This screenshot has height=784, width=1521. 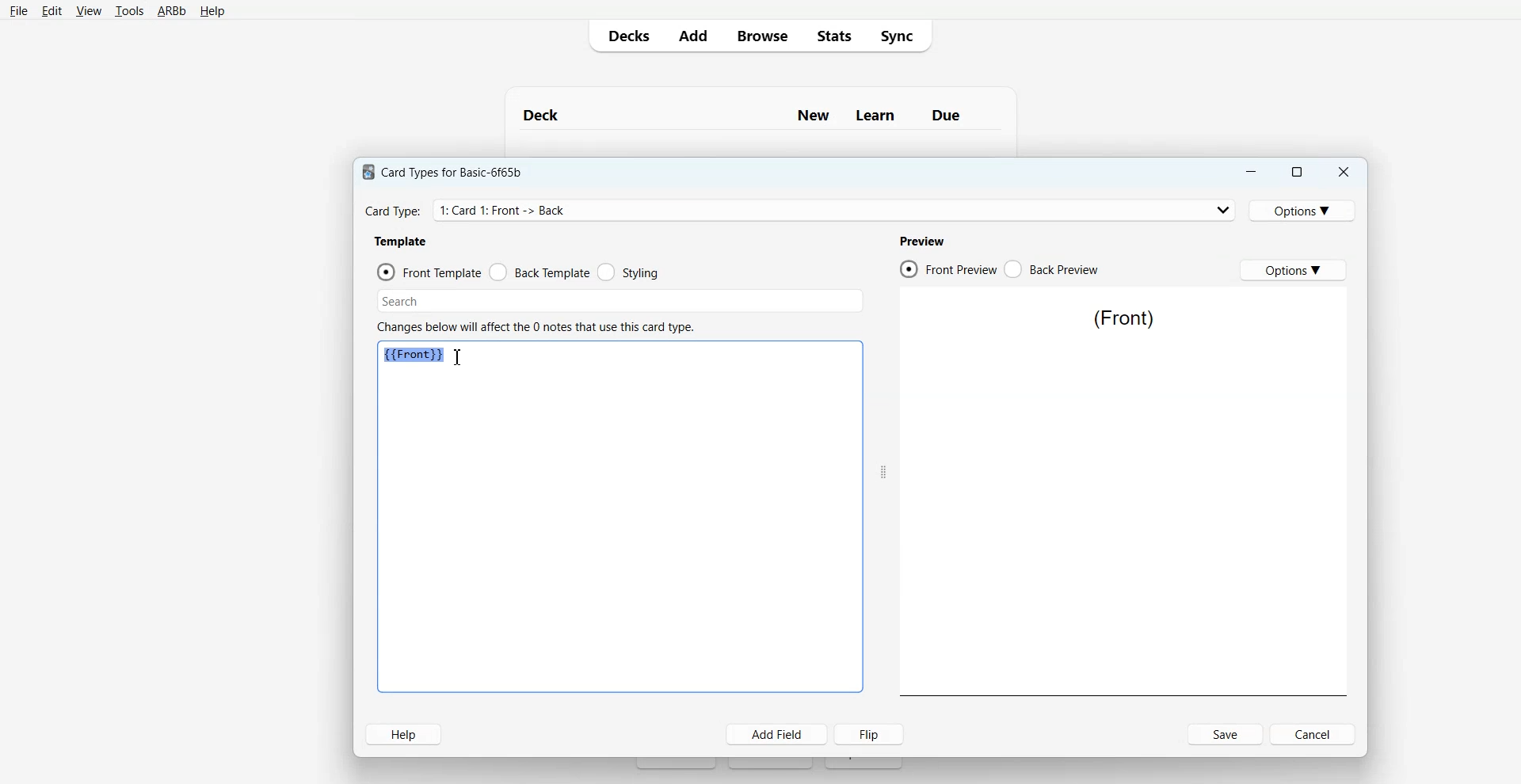 What do you see at coordinates (129, 11) in the screenshot?
I see `Tools` at bounding box center [129, 11].